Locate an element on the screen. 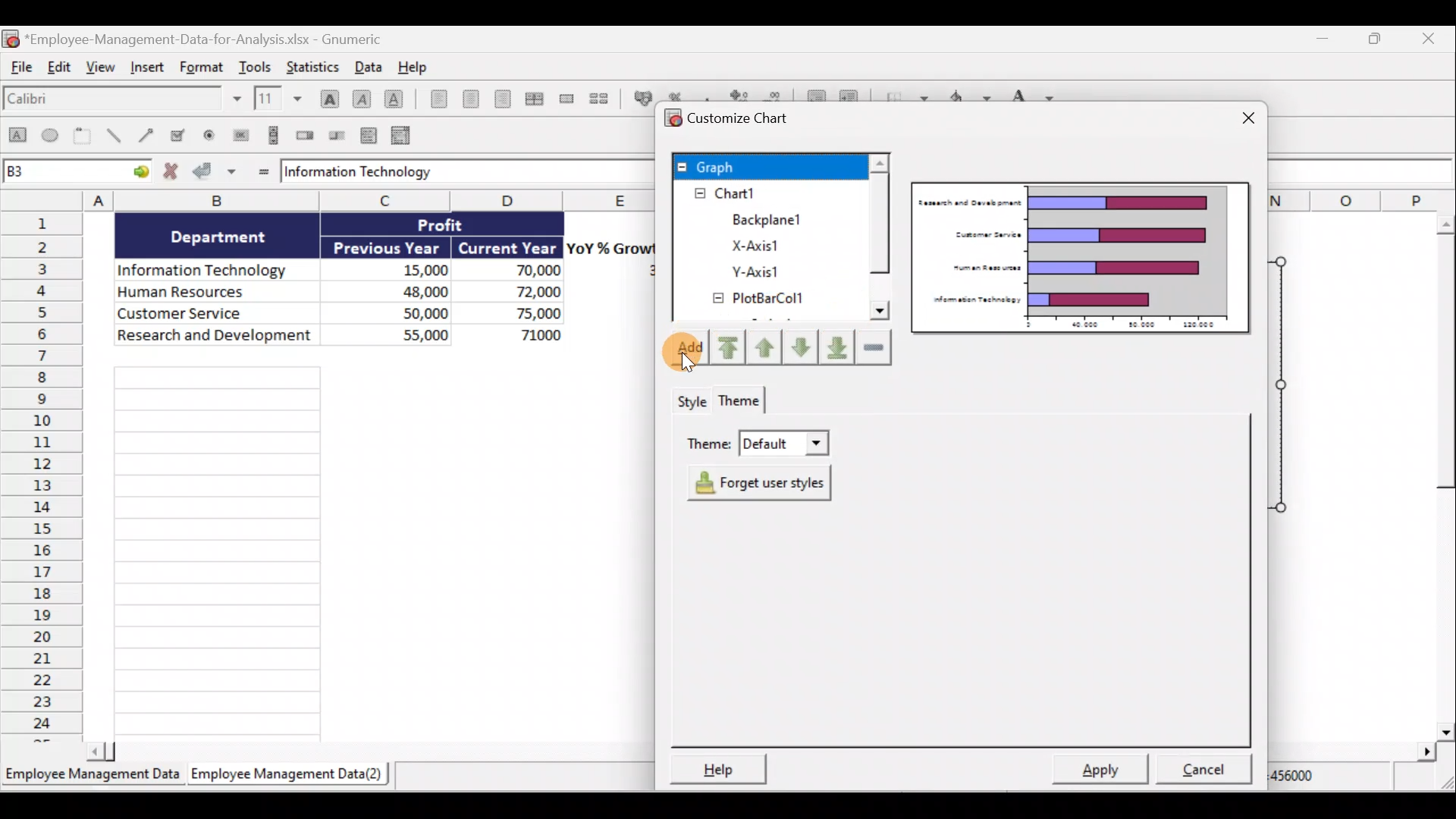 This screenshot has height=819, width=1456. X-axis1 is located at coordinates (759, 245).